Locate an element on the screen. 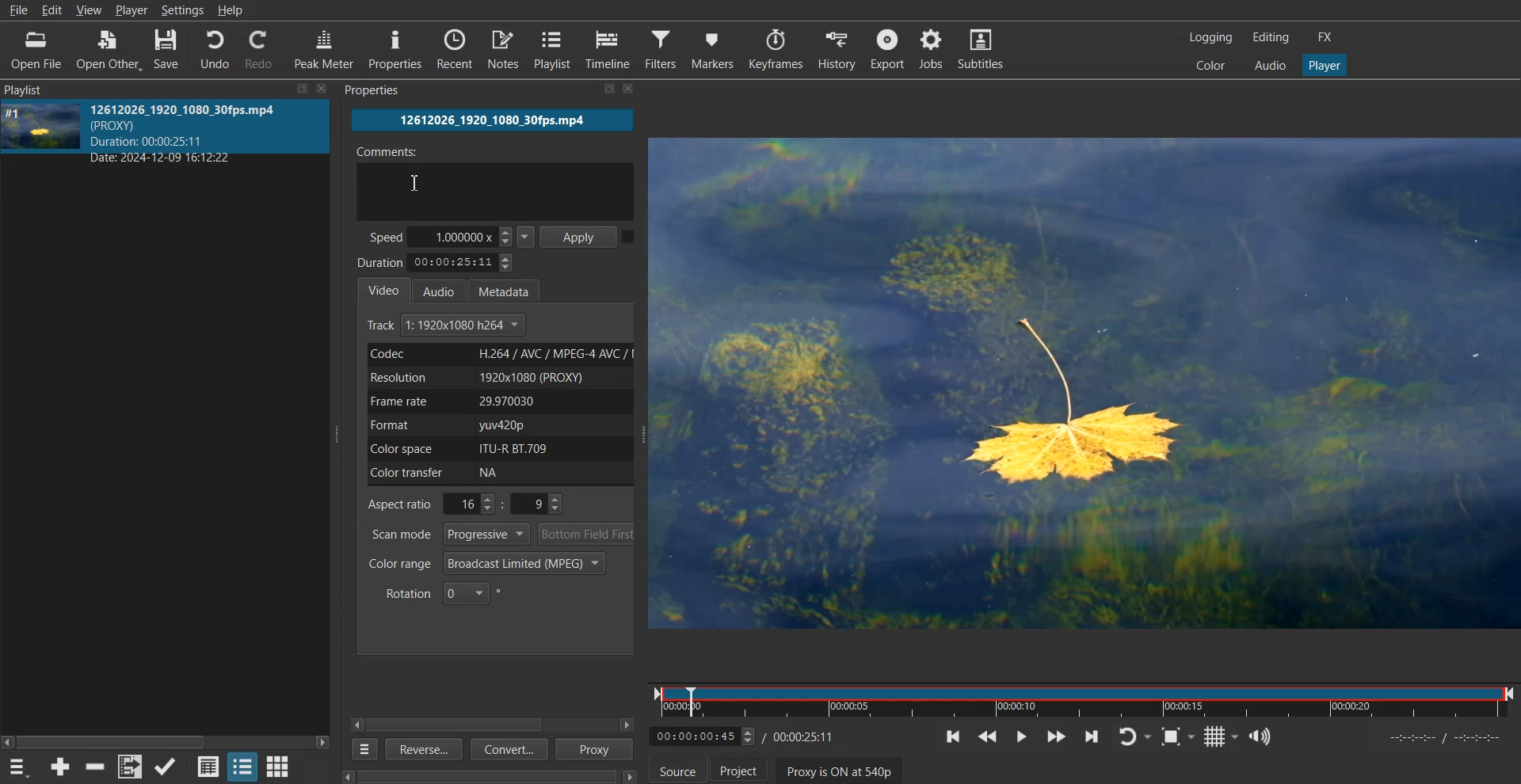 The width and height of the screenshot is (1521, 784). Bottom field First is located at coordinates (587, 534).